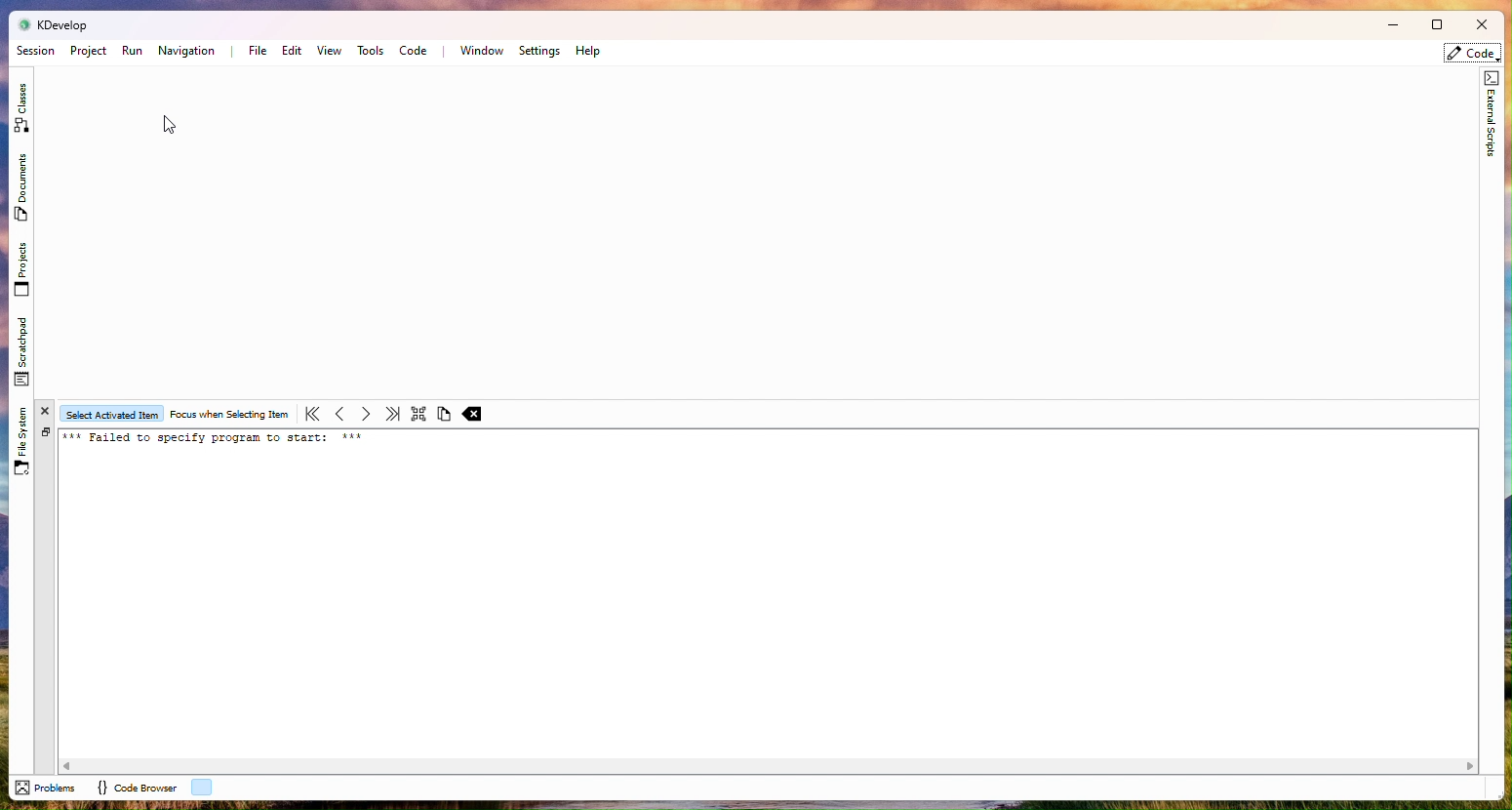 The height and width of the screenshot is (810, 1512). Describe the element at coordinates (291, 51) in the screenshot. I see `Edit` at that location.